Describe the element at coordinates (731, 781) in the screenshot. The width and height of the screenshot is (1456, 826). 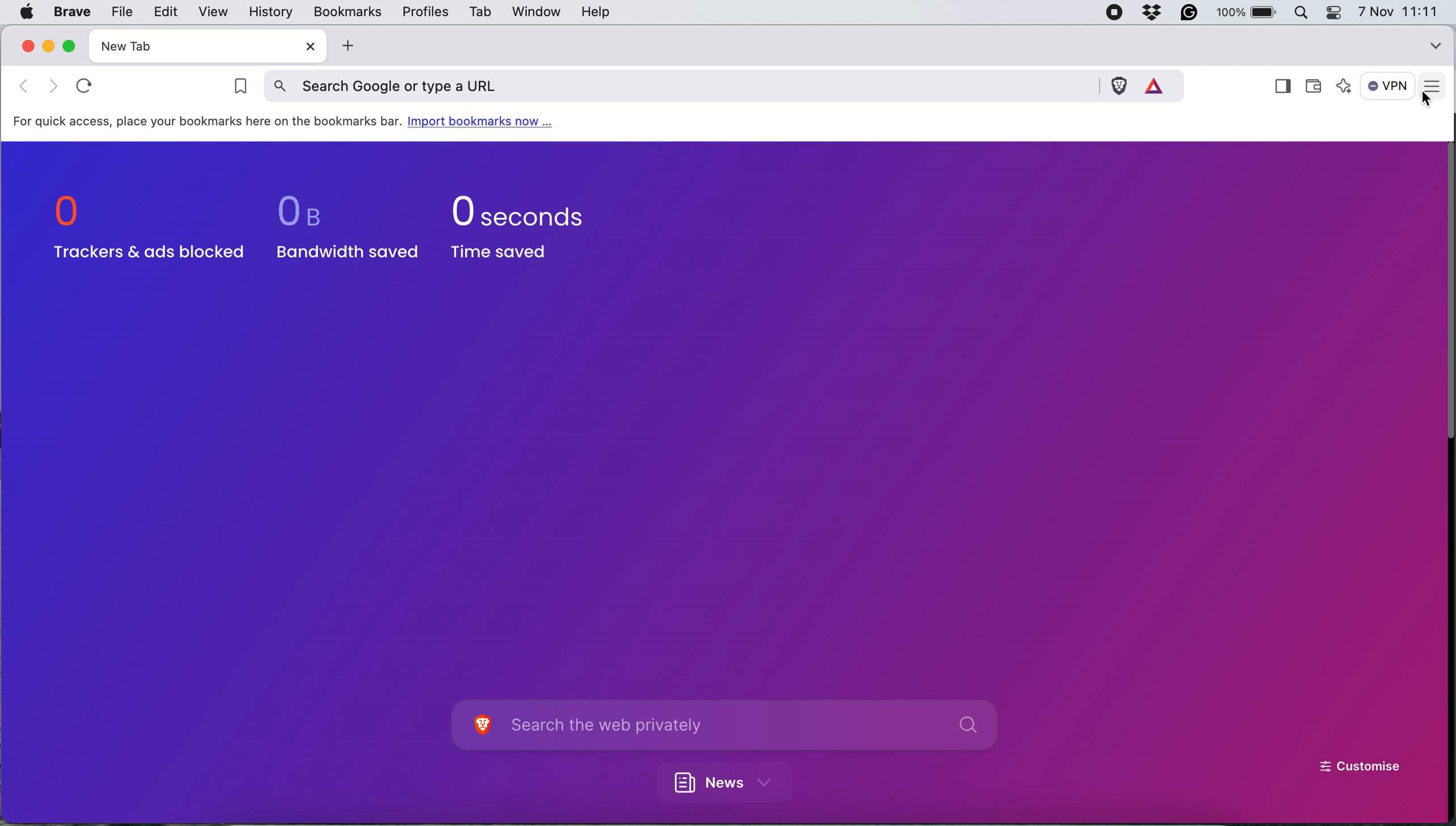
I see `news` at that location.